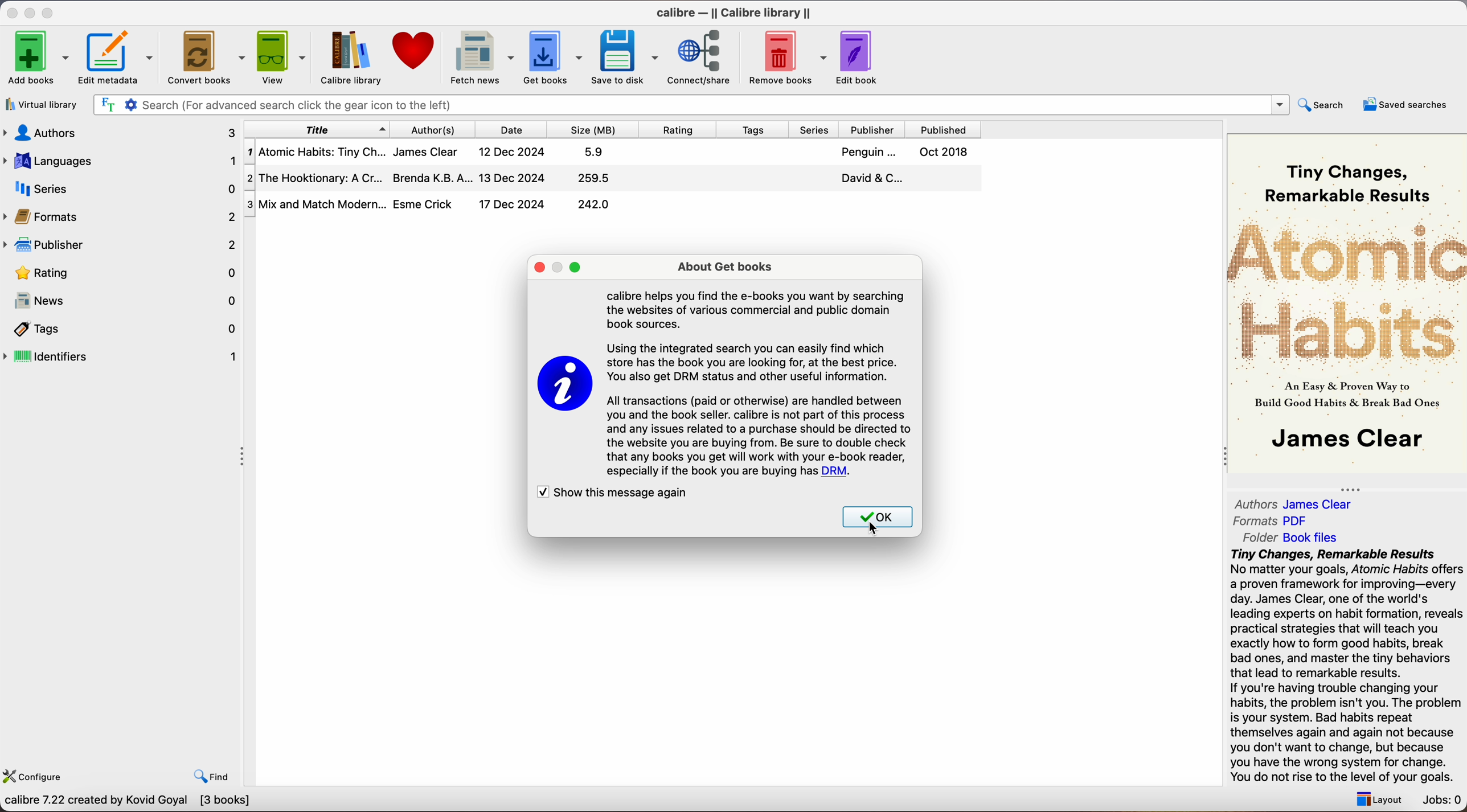 The height and width of the screenshot is (812, 1467). What do you see at coordinates (1349, 302) in the screenshot?
I see `book cover preview` at bounding box center [1349, 302].